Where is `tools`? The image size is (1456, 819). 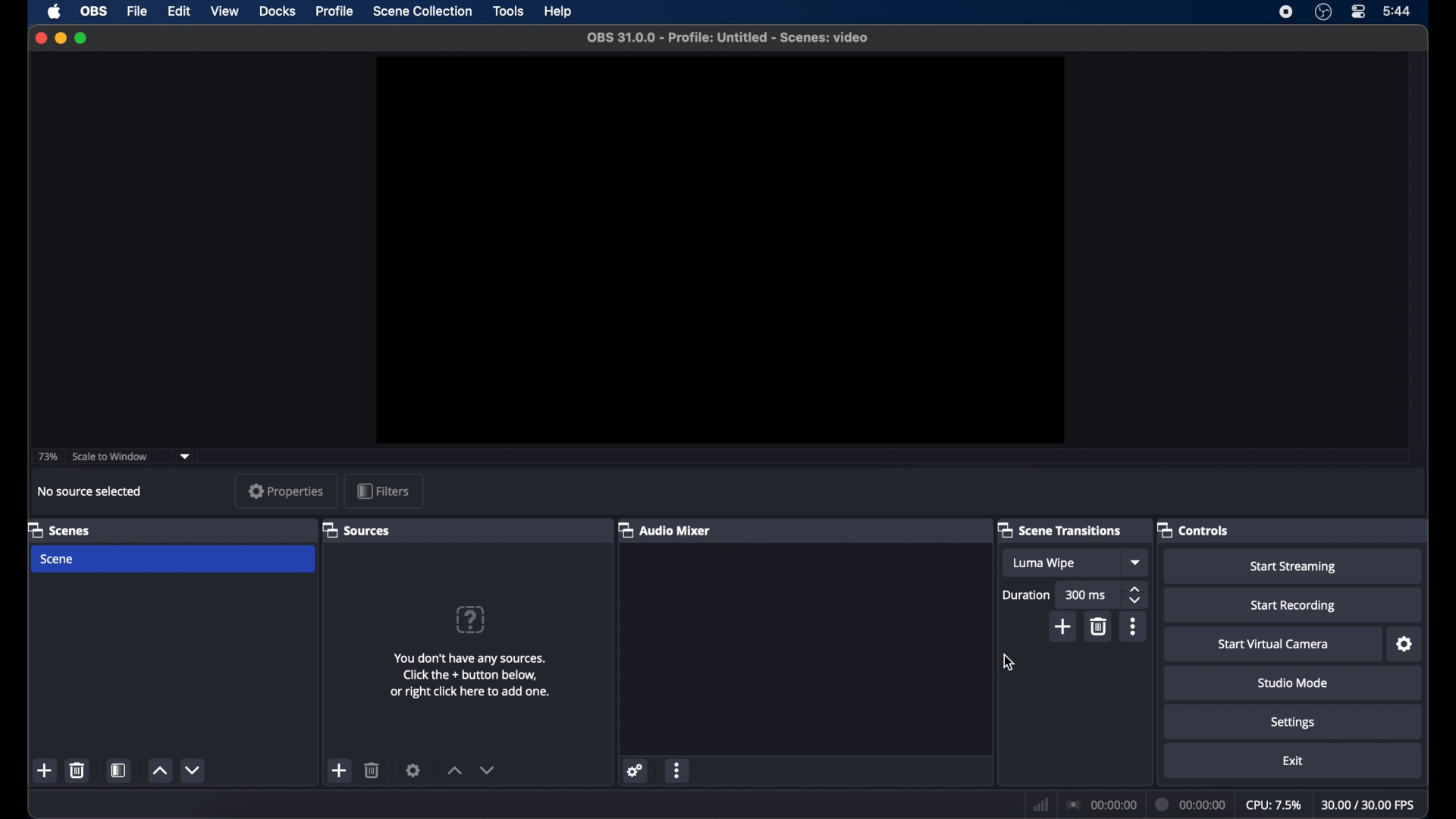
tools is located at coordinates (508, 11).